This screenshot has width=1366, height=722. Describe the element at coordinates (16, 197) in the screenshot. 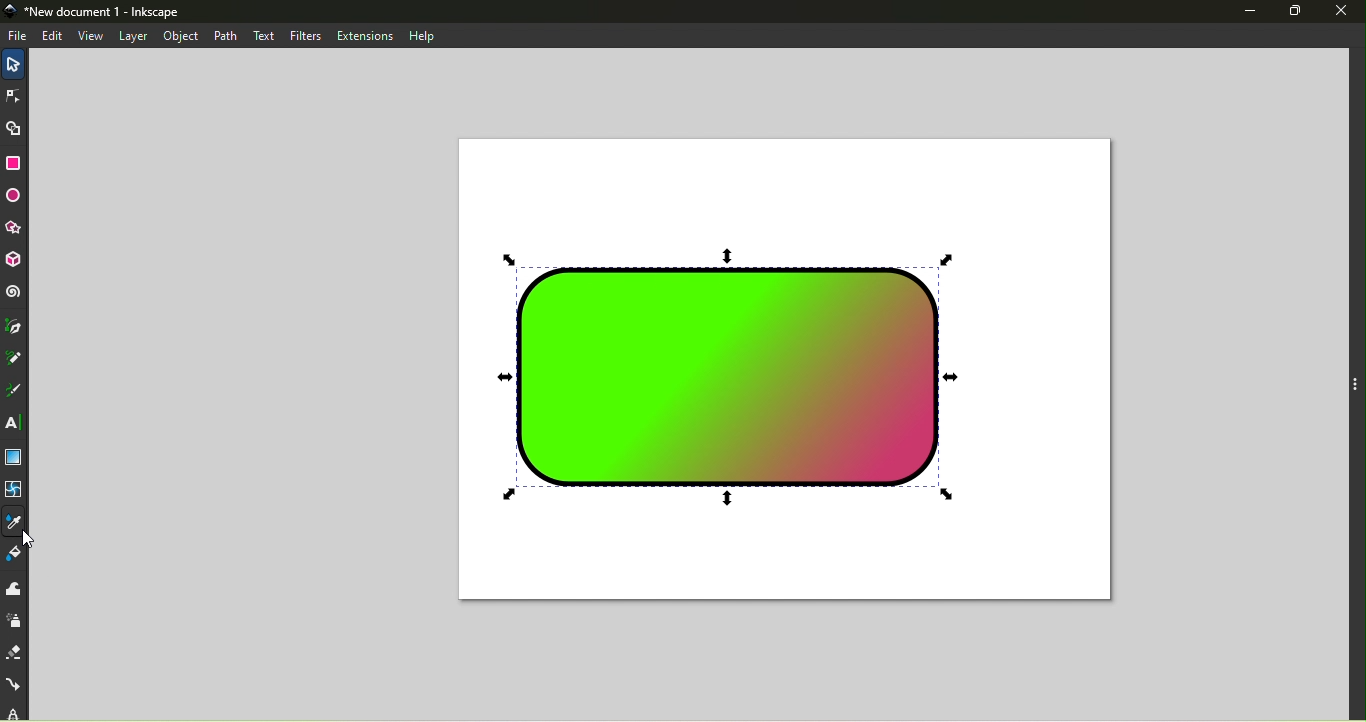

I see `Ellipse/arc tool` at that location.